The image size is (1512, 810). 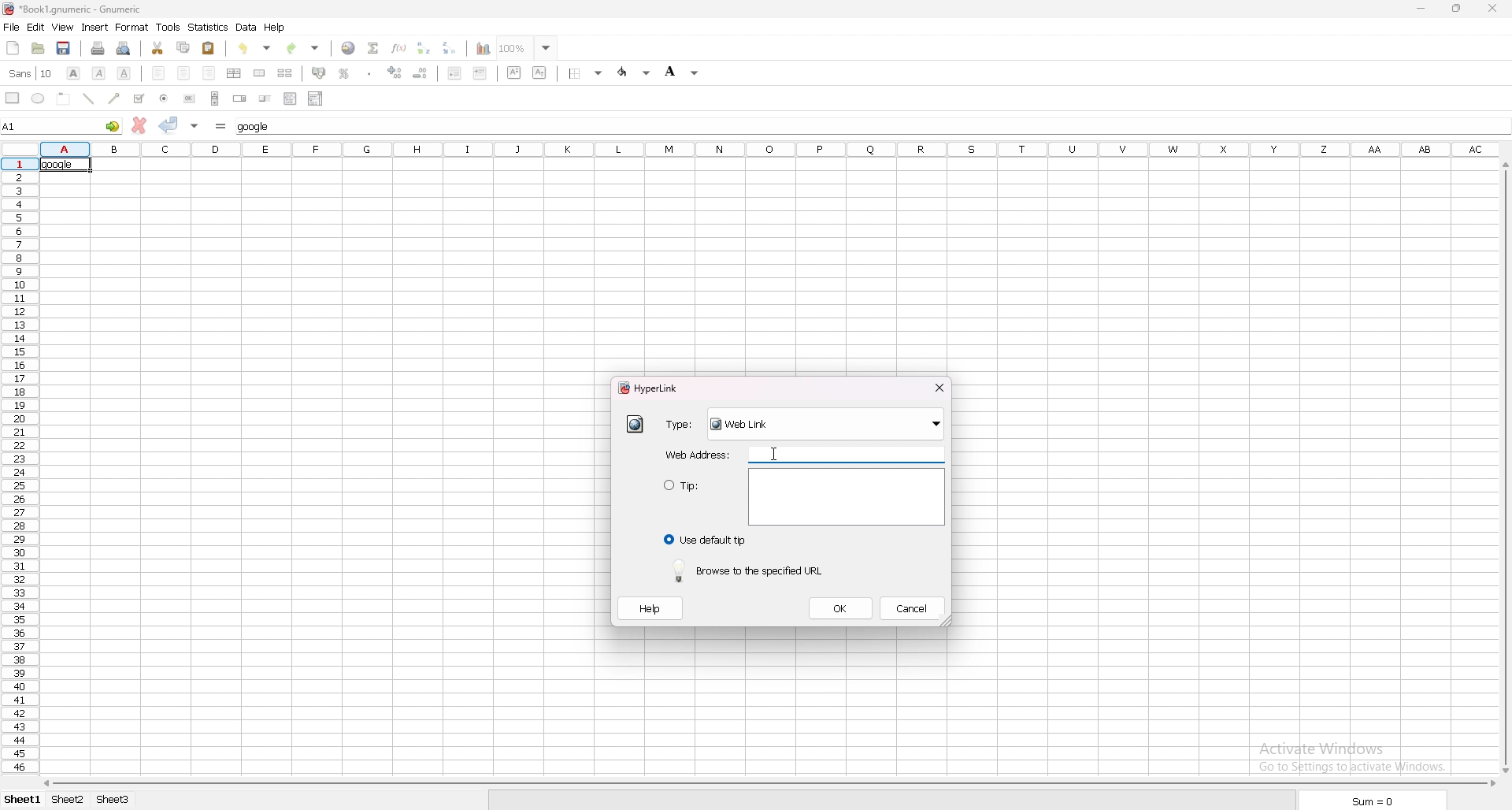 I want to click on webaddress, so click(x=700, y=454).